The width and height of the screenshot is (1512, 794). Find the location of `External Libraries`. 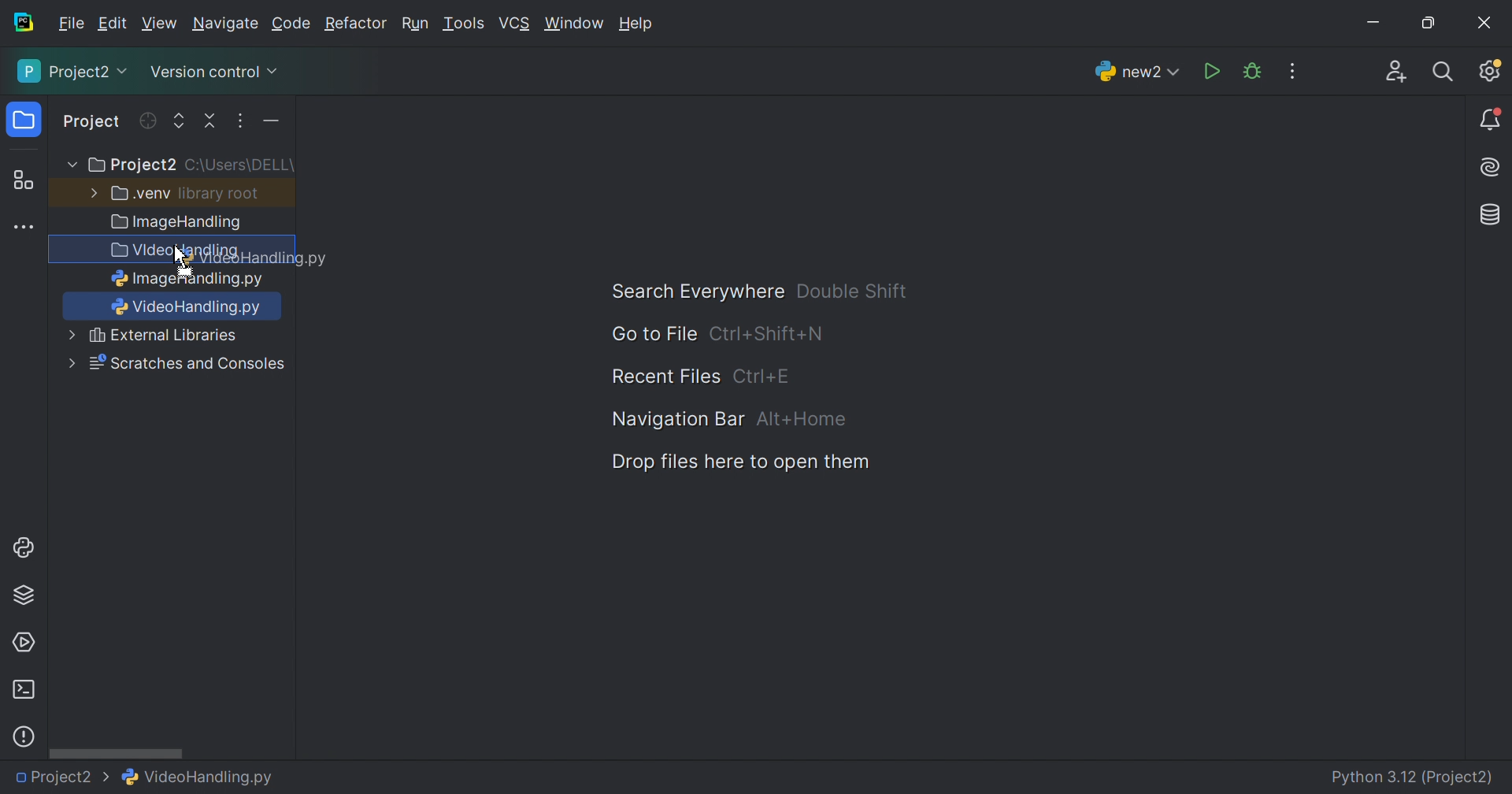

External Libraries is located at coordinates (165, 336).